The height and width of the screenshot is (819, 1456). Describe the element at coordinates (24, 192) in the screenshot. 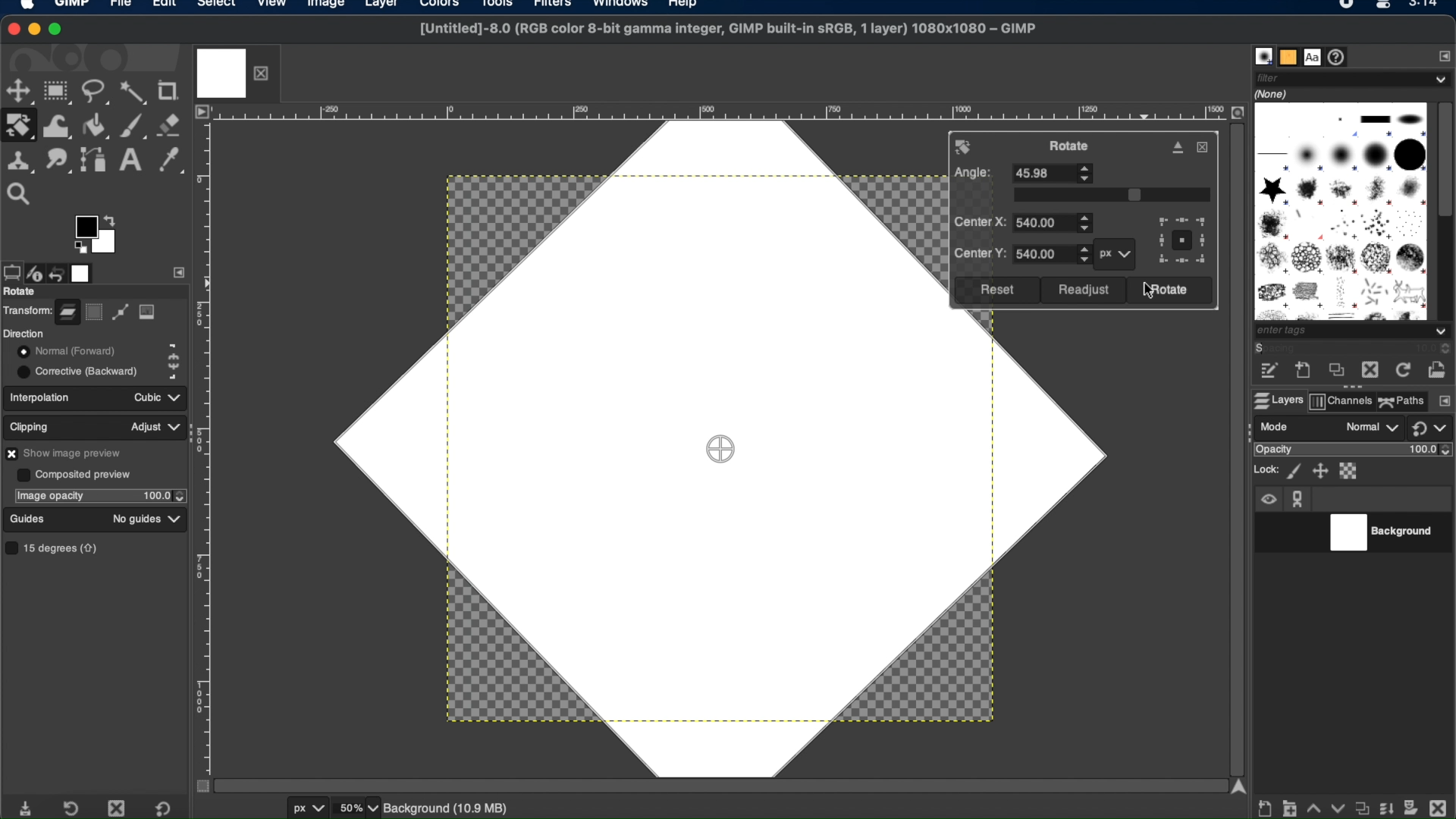

I see `zoom tool` at that location.